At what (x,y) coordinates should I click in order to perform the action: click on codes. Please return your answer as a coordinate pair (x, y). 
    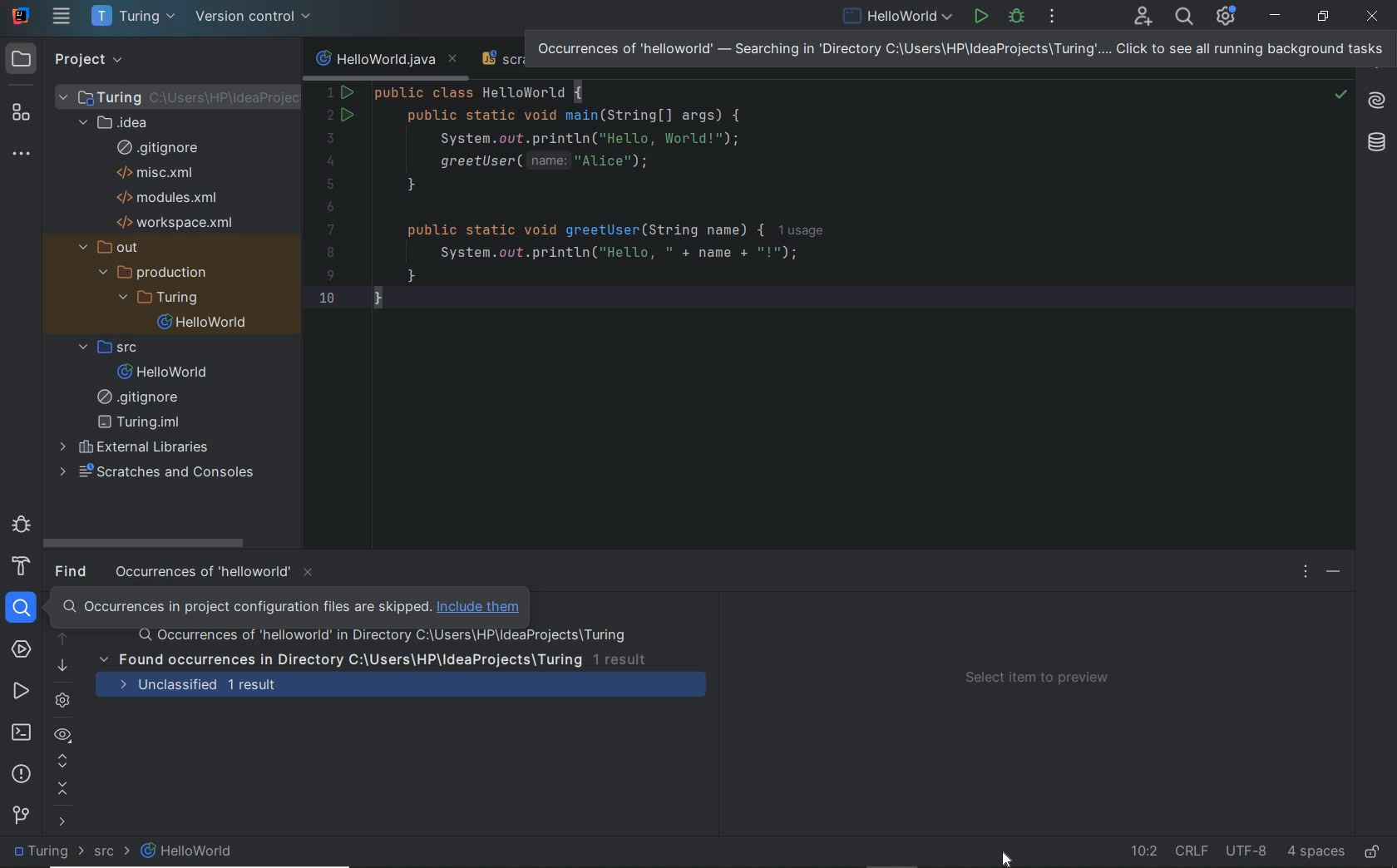
    Looking at the image, I should click on (602, 210).